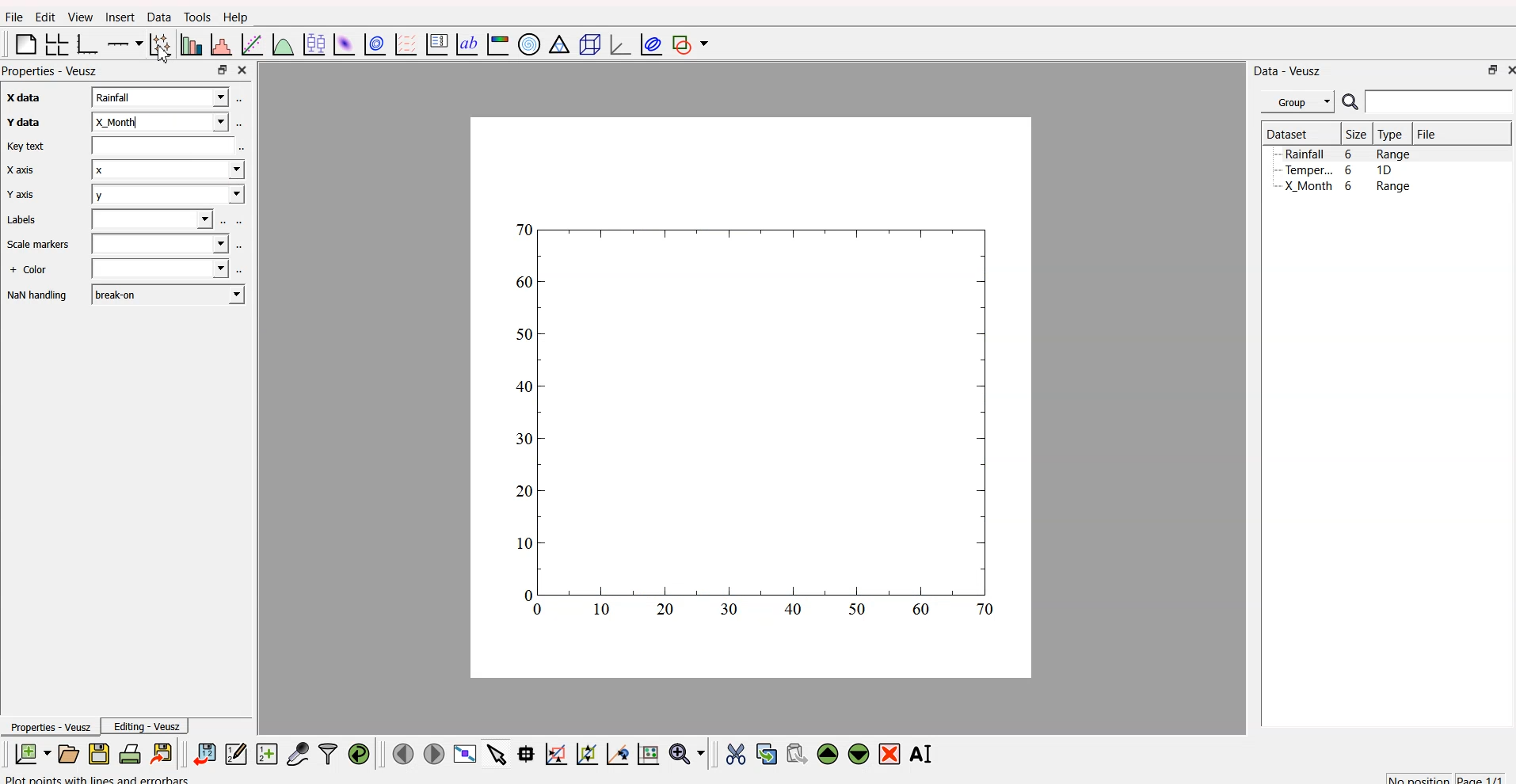 This screenshot has width=1516, height=784. Describe the element at coordinates (373, 44) in the screenshot. I see `plot data` at that location.